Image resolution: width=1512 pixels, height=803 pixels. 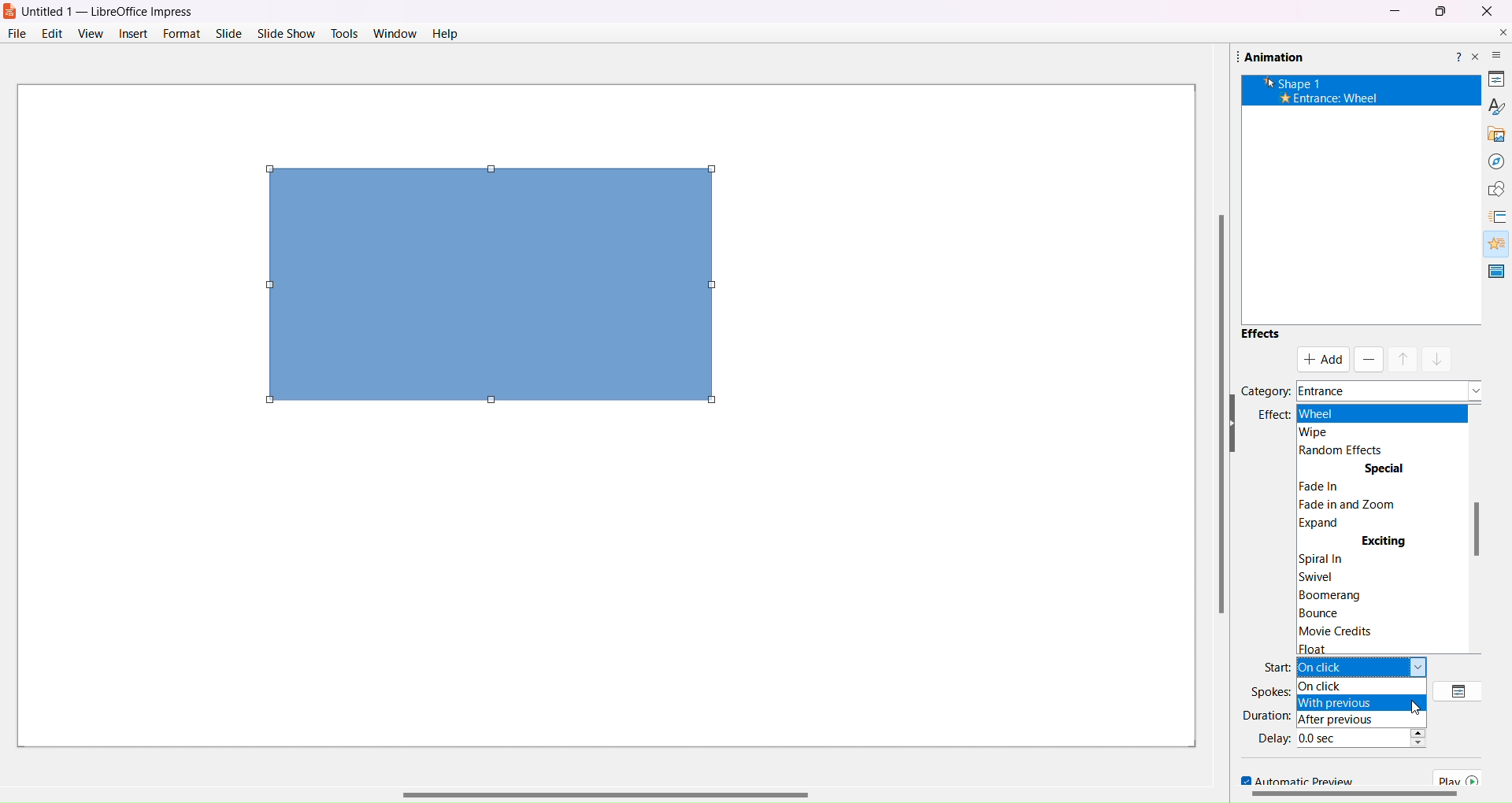 I want to click on Master Slide, so click(x=1497, y=271).